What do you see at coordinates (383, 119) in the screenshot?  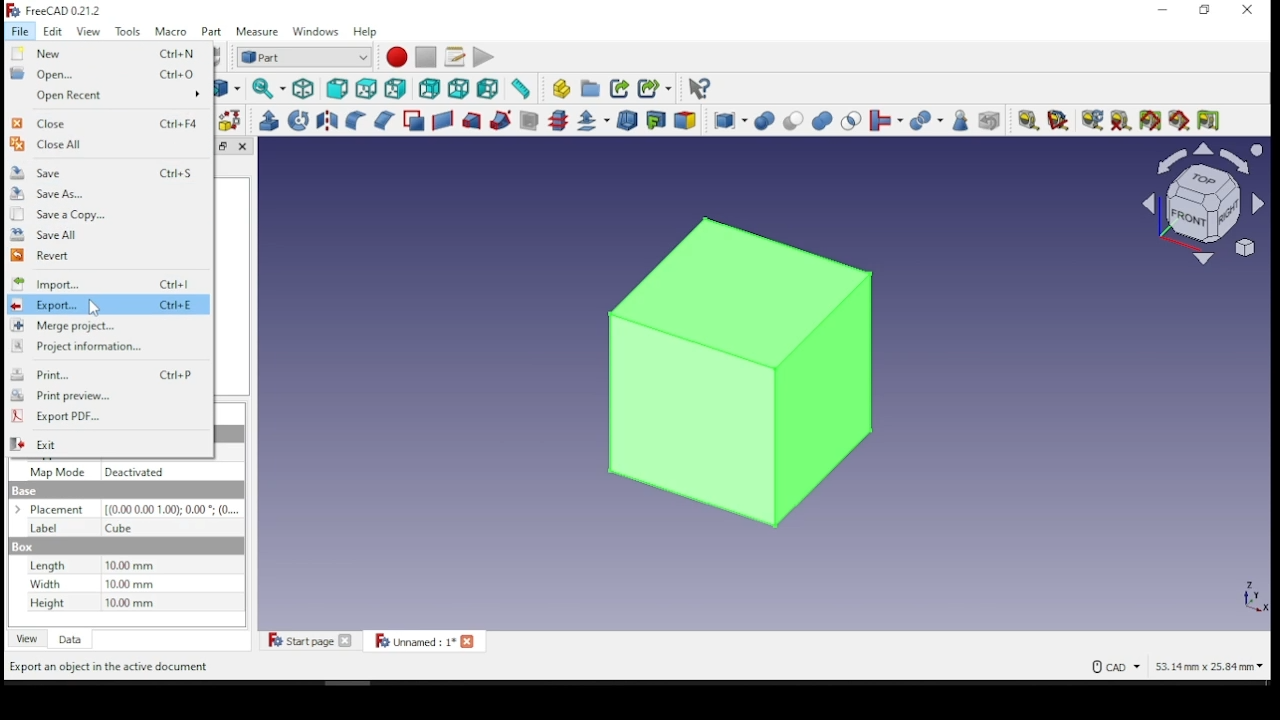 I see `campher` at bounding box center [383, 119].